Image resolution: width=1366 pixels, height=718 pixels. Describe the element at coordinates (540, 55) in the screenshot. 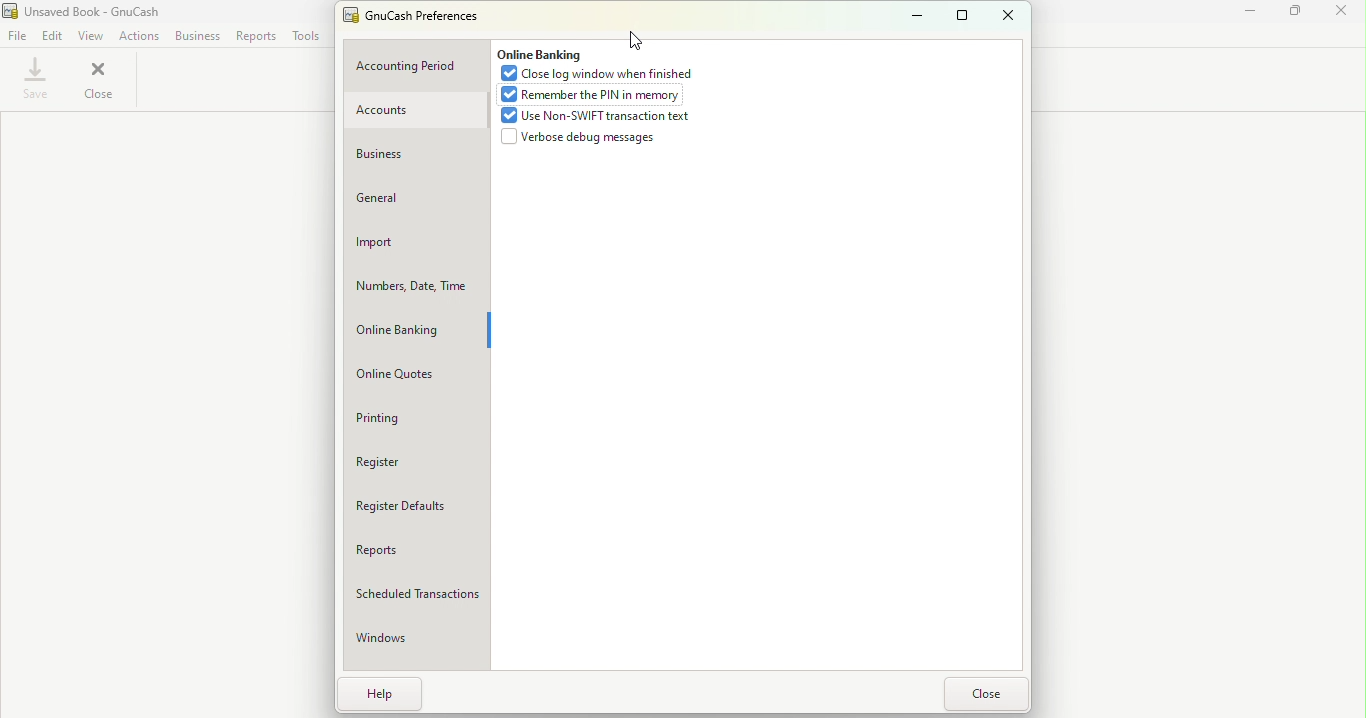

I see `Online banking` at that location.